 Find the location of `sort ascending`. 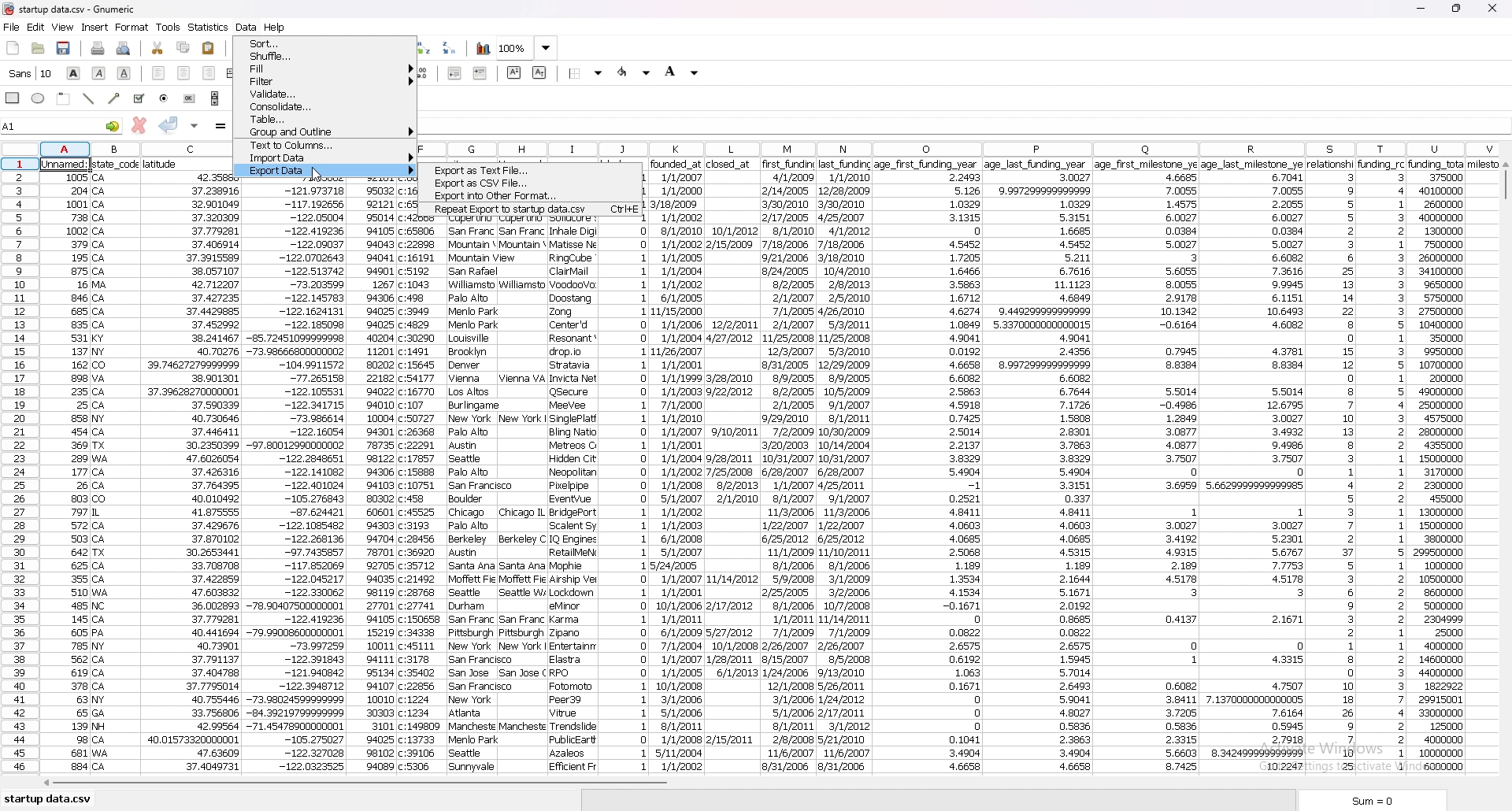

sort ascending is located at coordinates (424, 48).